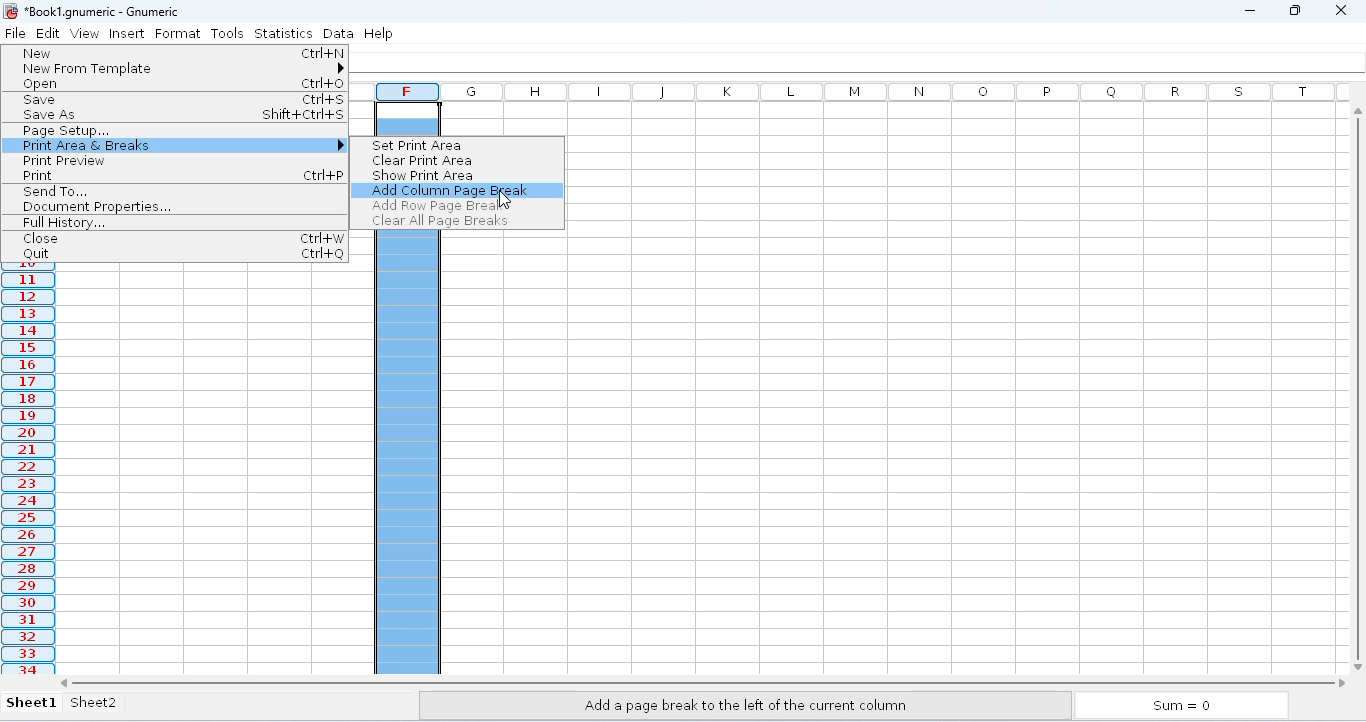  I want to click on edit, so click(51, 32).